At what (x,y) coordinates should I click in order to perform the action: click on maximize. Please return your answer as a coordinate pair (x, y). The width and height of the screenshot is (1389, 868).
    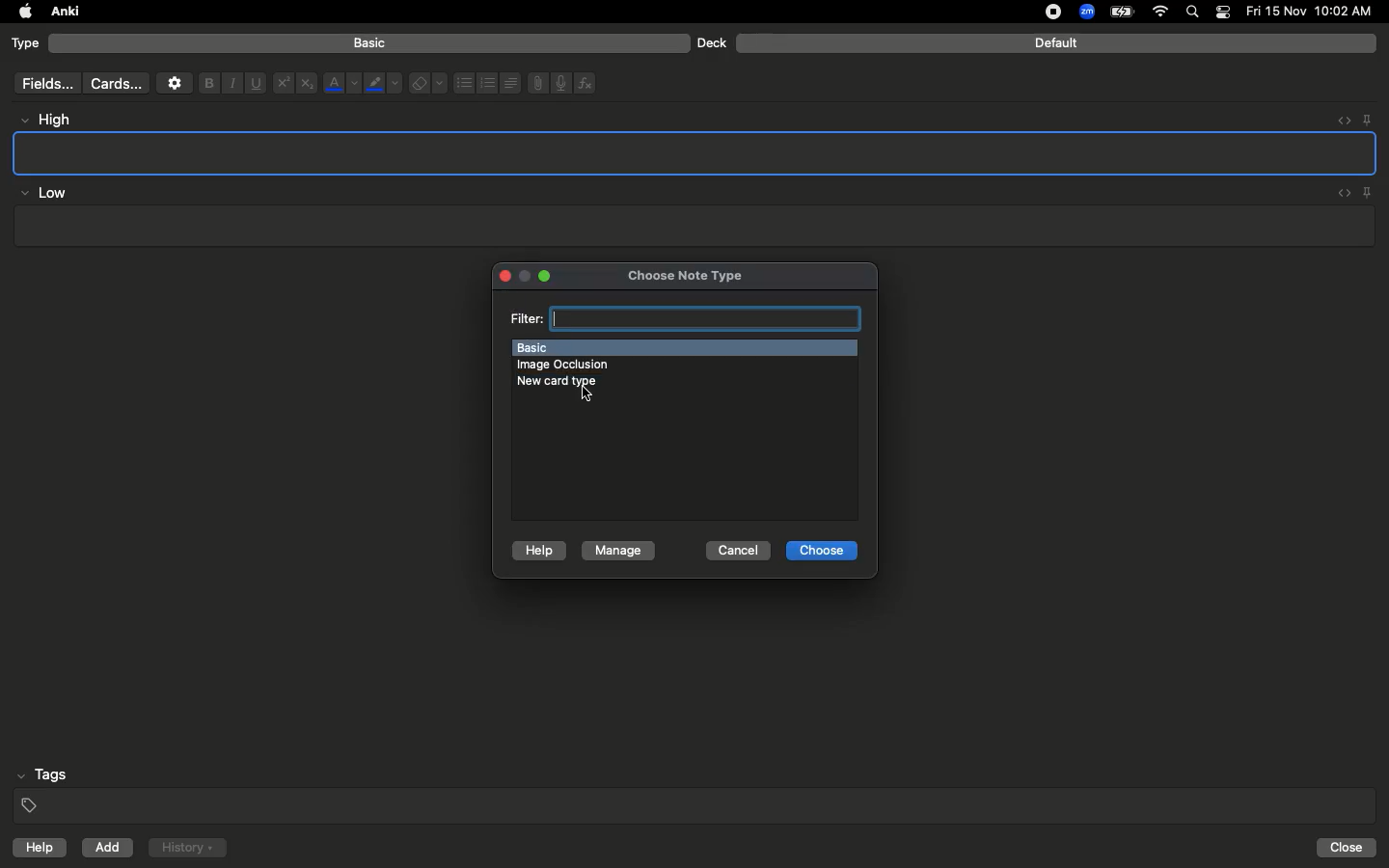
    Looking at the image, I should click on (546, 277).